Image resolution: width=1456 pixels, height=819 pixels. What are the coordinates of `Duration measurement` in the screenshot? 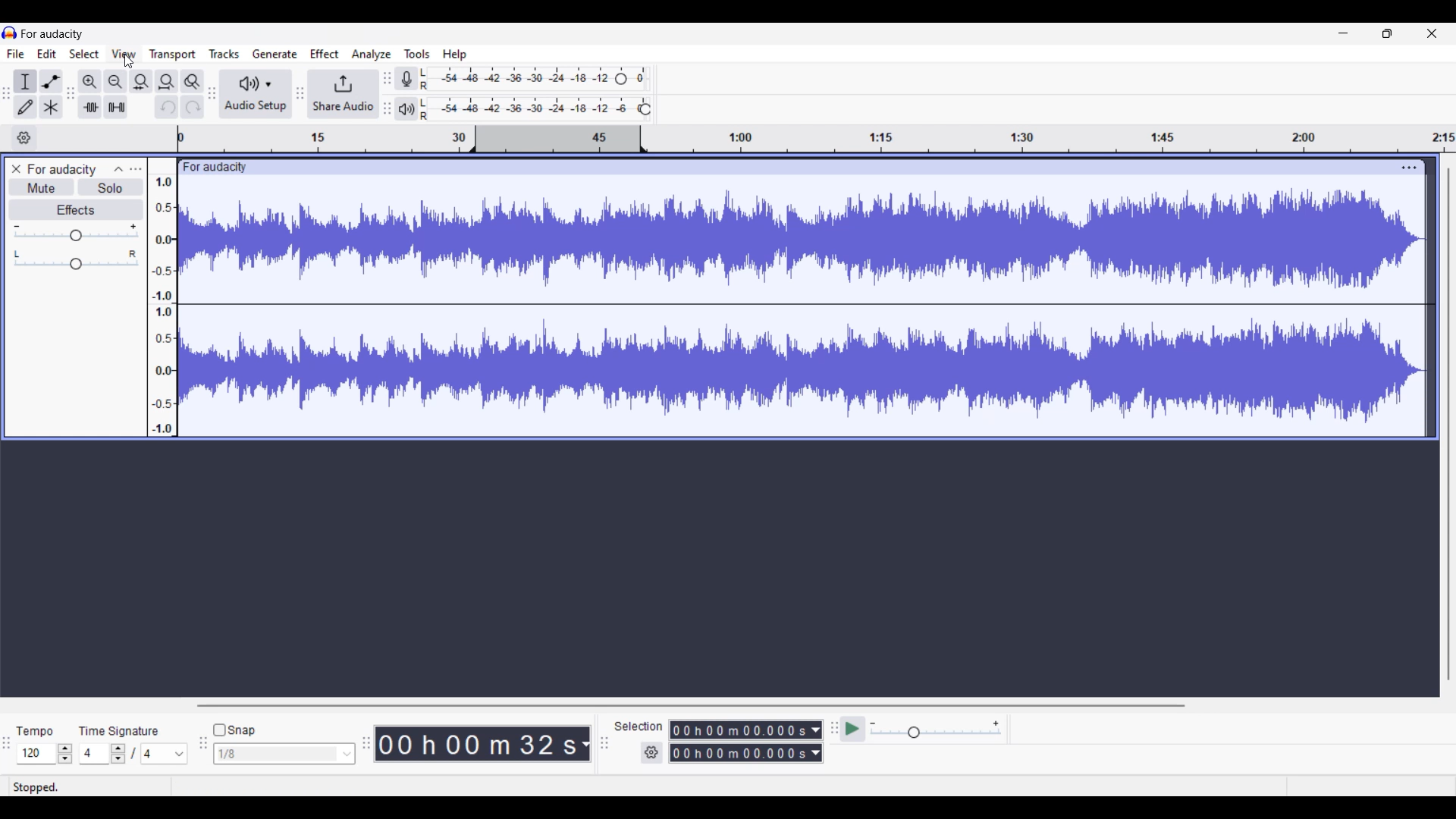 It's located at (817, 730).